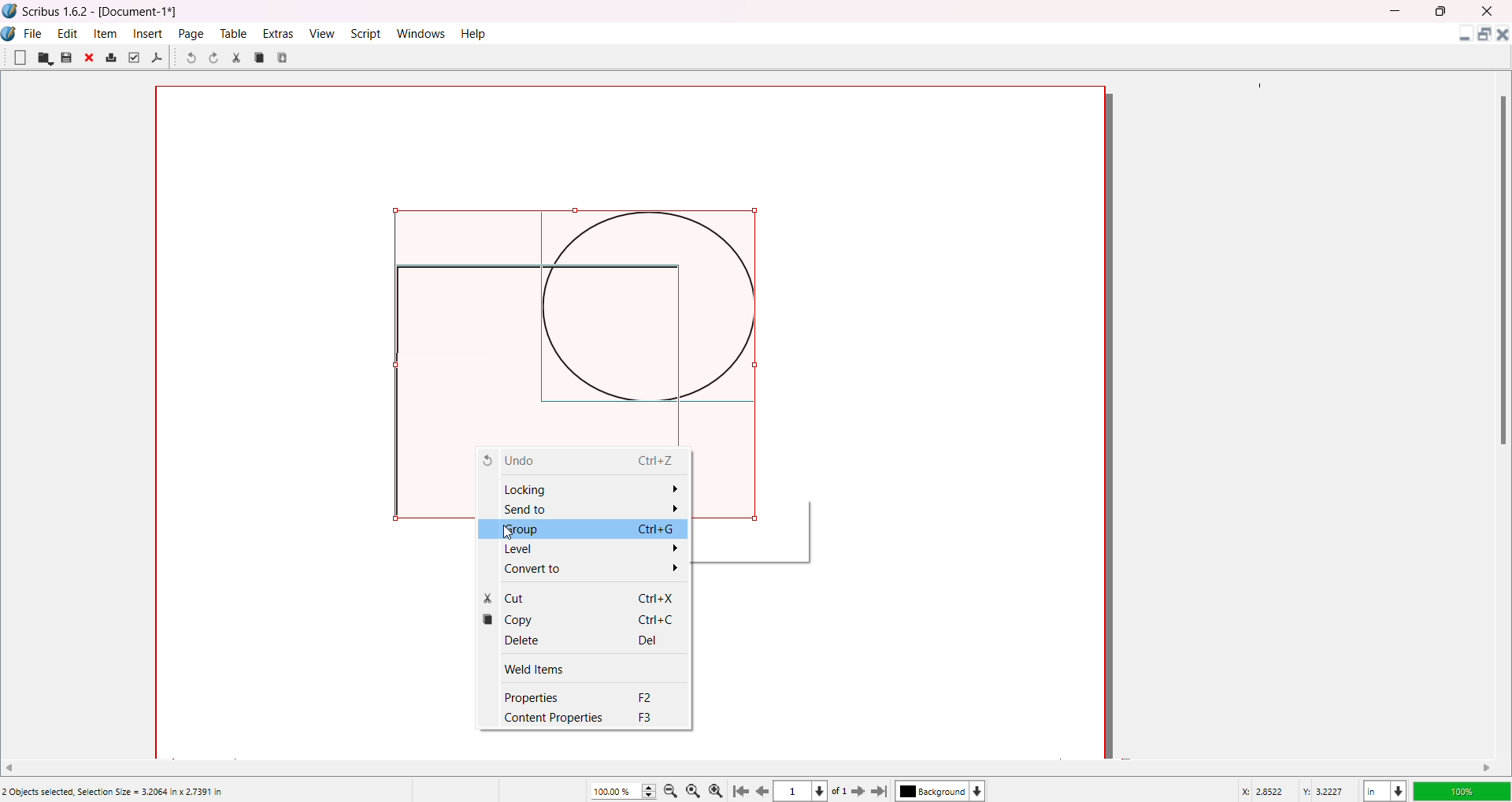  What do you see at coordinates (321, 32) in the screenshot?
I see `View` at bounding box center [321, 32].